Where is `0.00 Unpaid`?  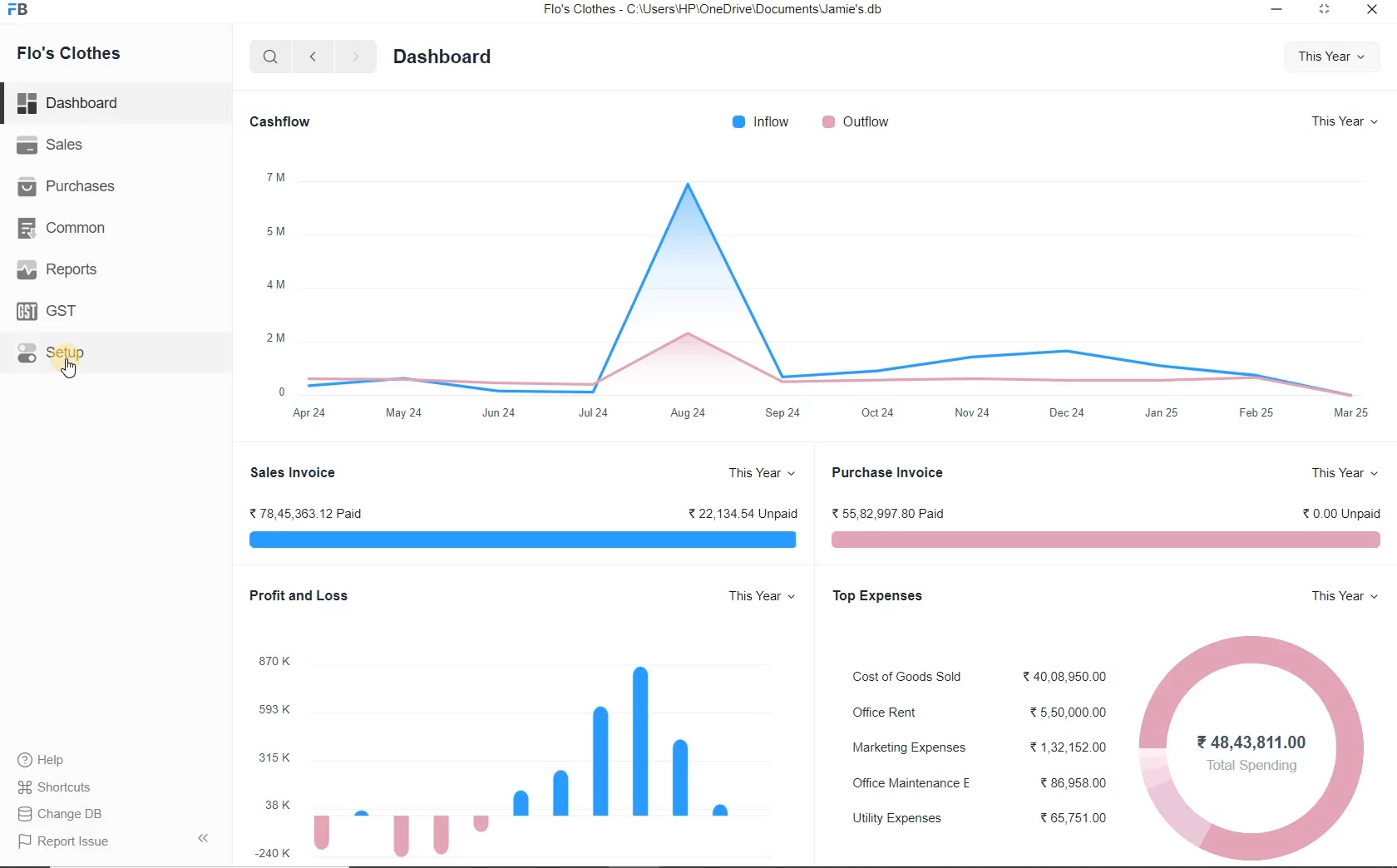 0.00 Unpaid is located at coordinates (1343, 513).